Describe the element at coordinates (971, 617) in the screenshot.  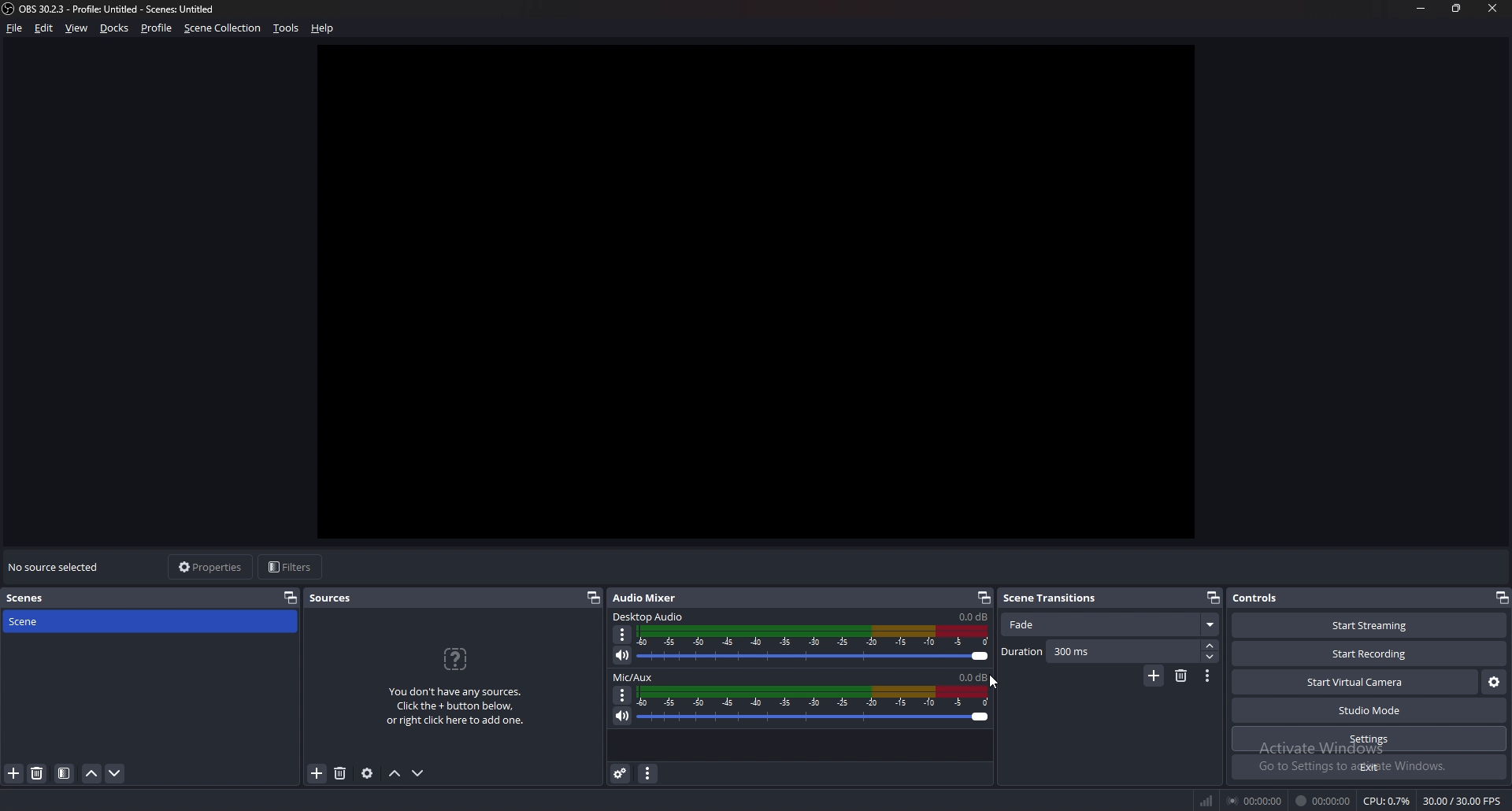
I see `0.0 db` at that location.